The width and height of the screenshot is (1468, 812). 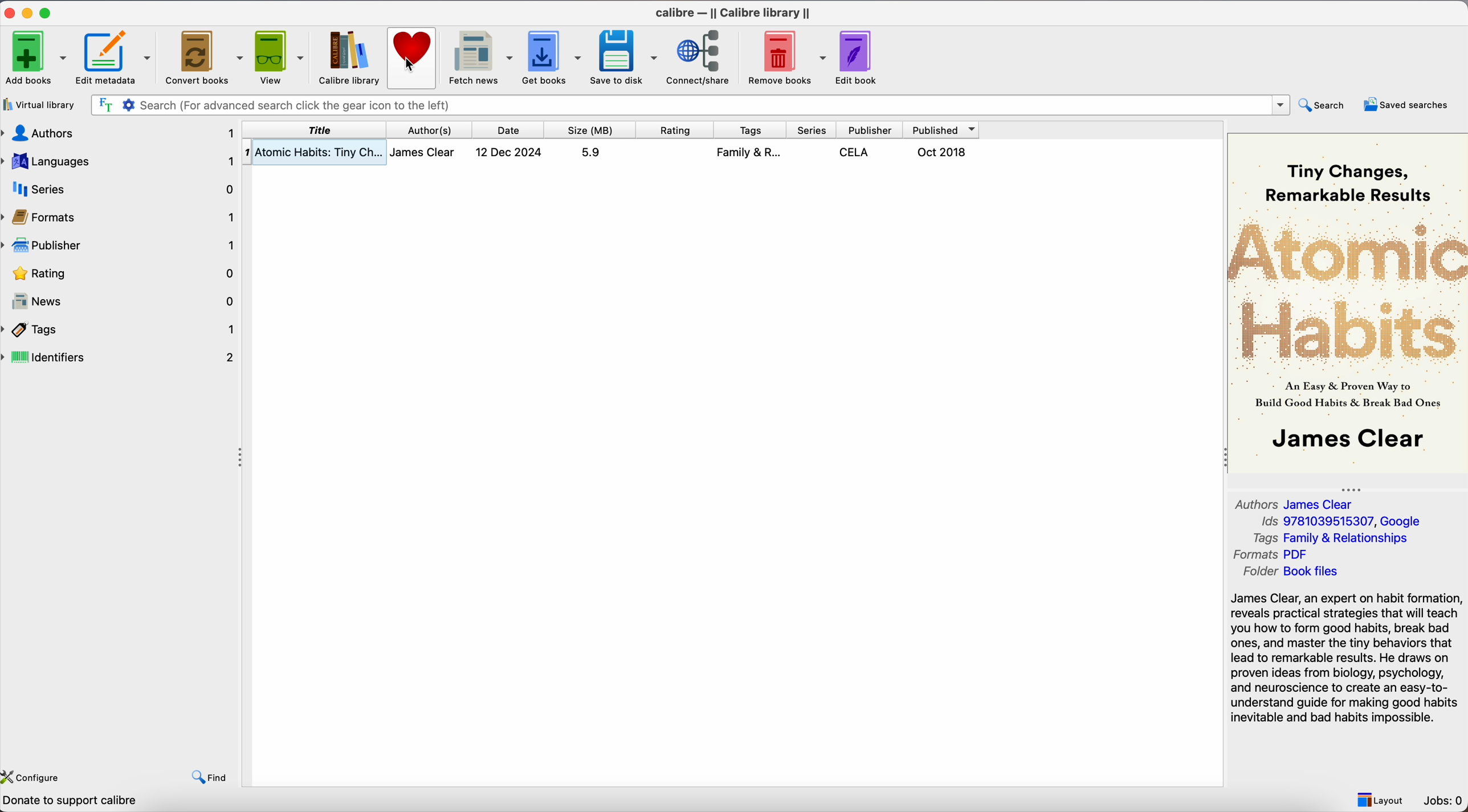 What do you see at coordinates (115, 59) in the screenshot?
I see `edit metadata` at bounding box center [115, 59].